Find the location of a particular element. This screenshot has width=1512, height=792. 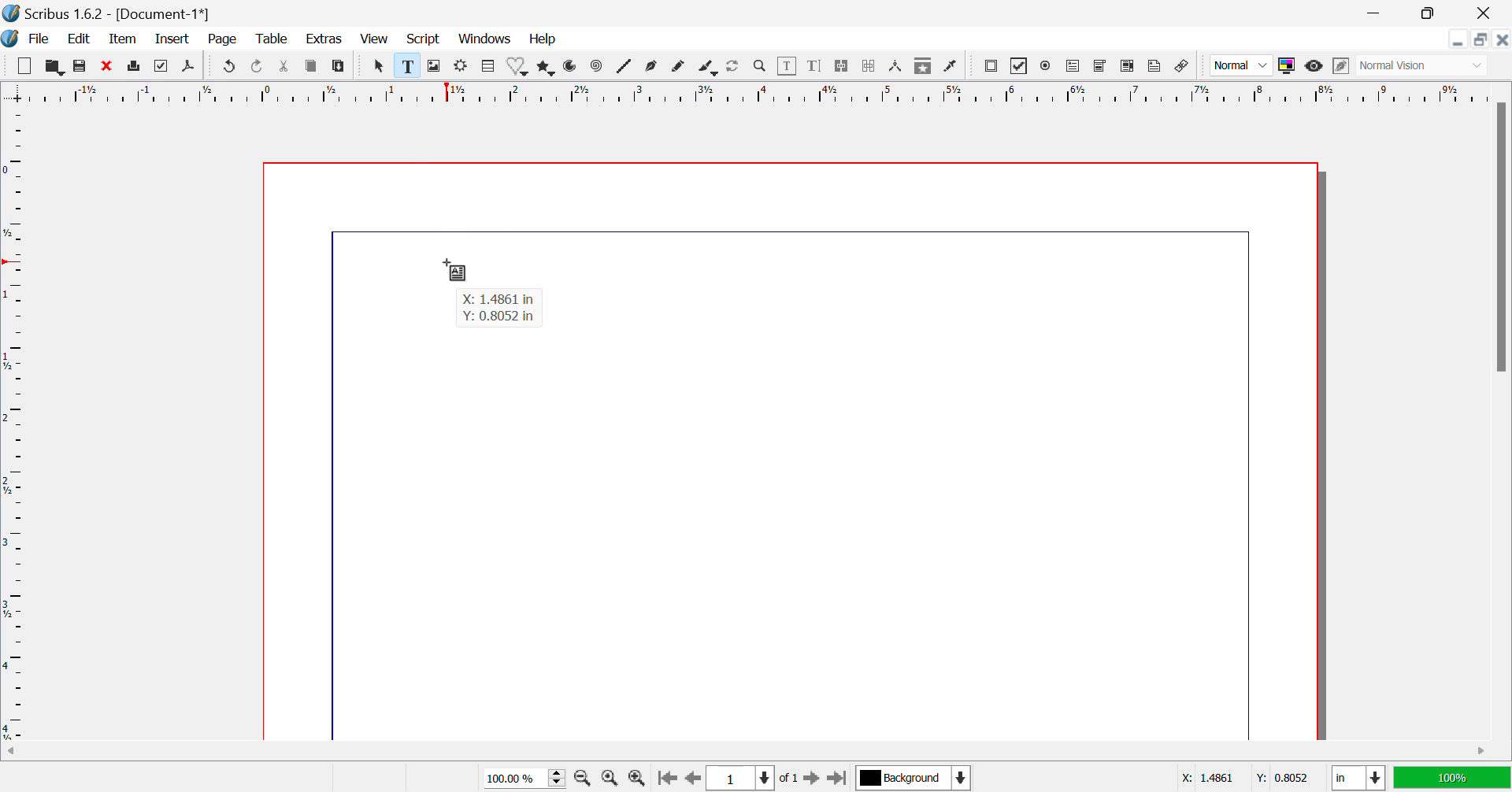

PDF checkbox is located at coordinates (1020, 65).